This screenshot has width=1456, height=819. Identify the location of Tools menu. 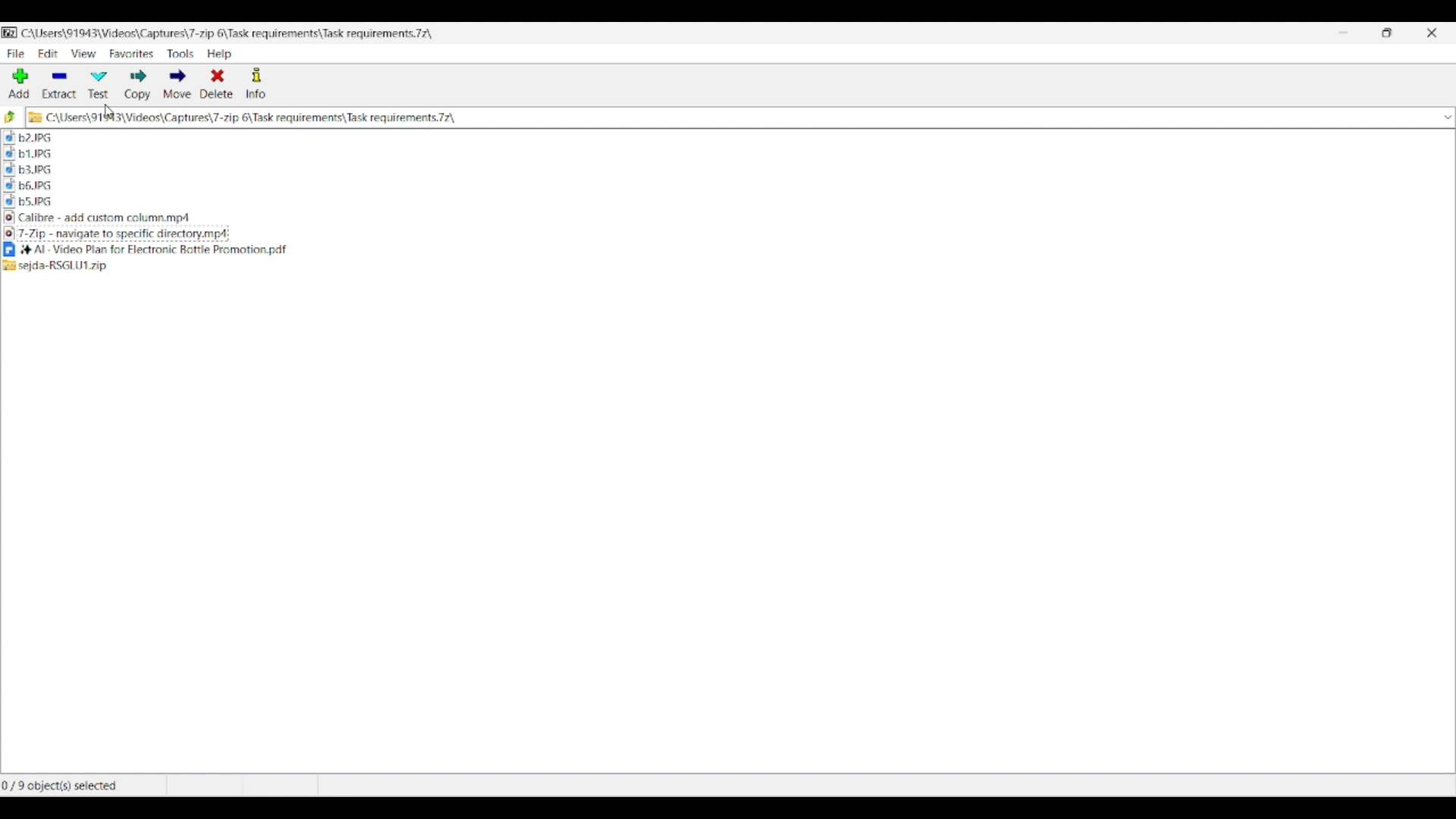
(181, 54).